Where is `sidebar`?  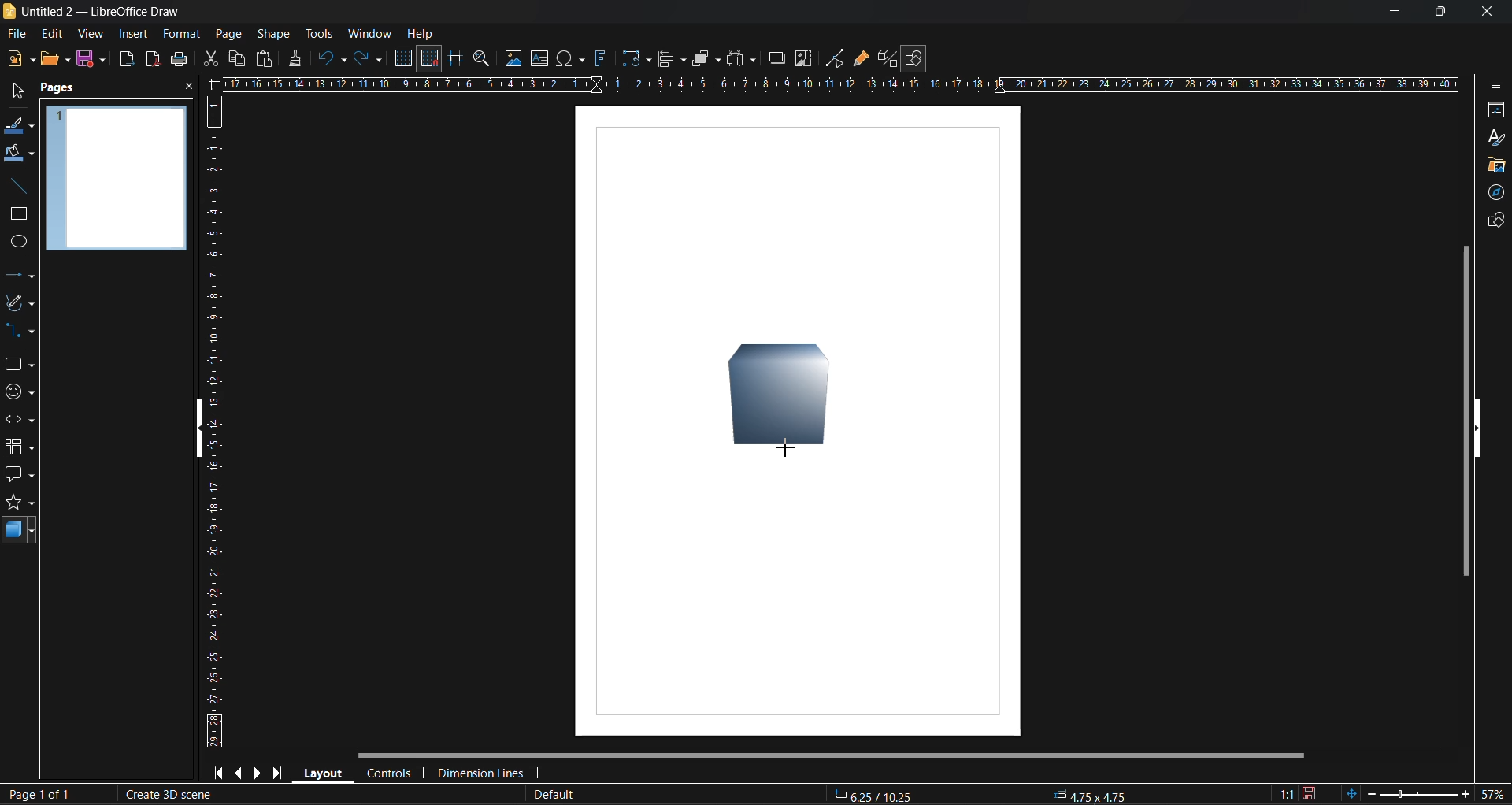 sidebar is located at coordinates (1494, 83).